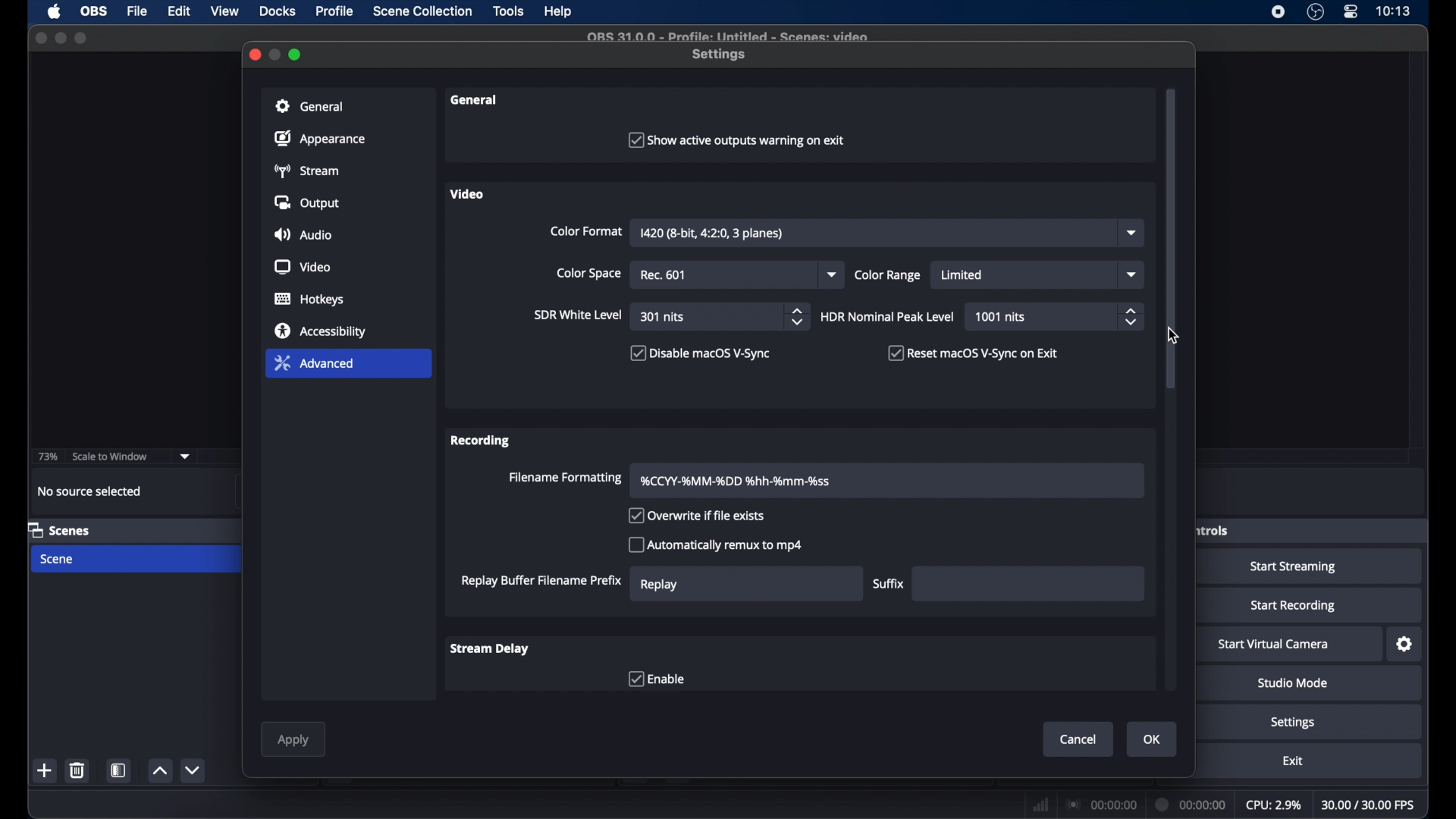 Image resolution: width=1456 pixels, height=819 pixels. What do you see at coordinates (509, 11) in the screenshot?
I see `tools` at bounding box center [509, 11].